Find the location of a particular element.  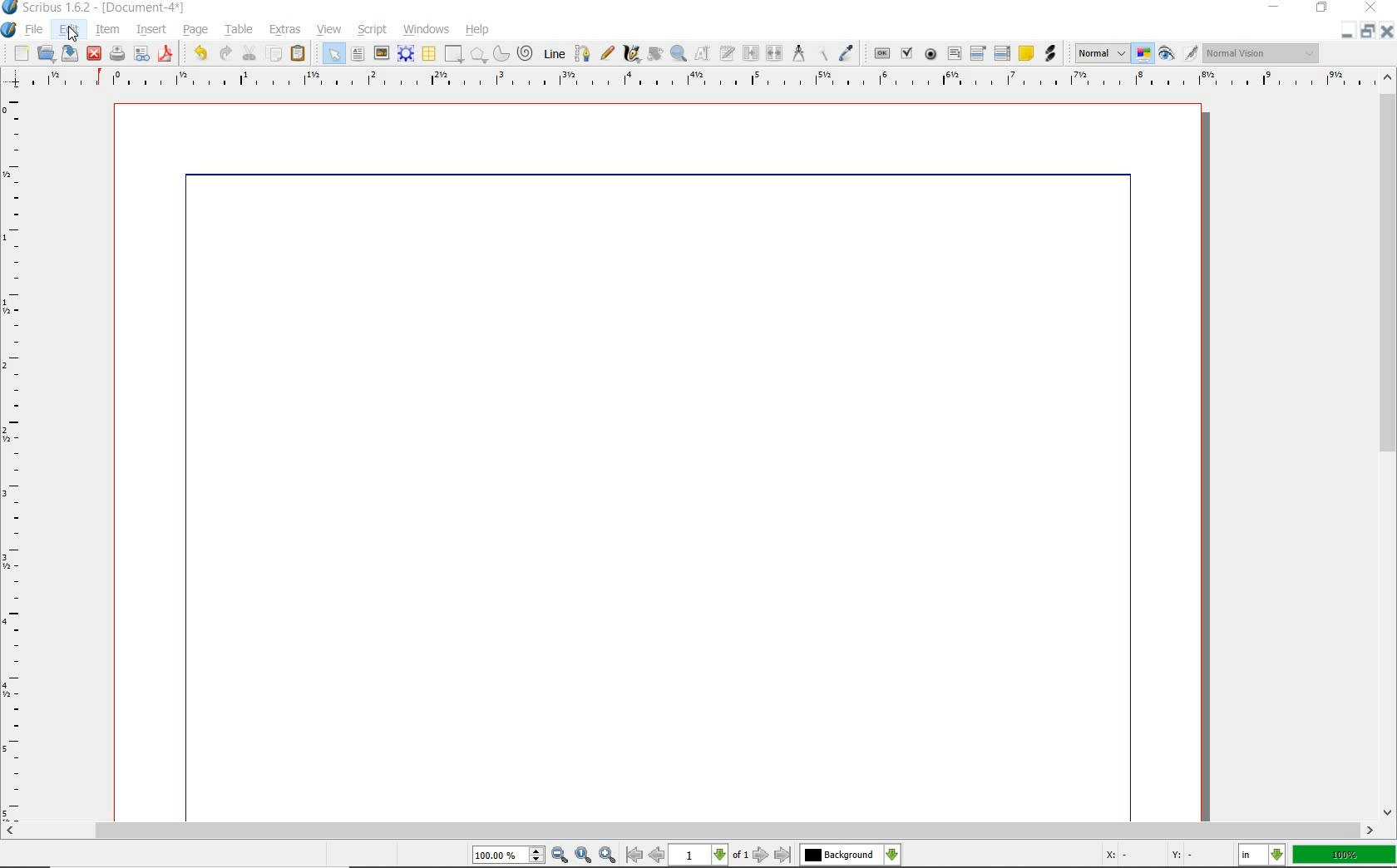

link text frames is located at coordinates (749, 52).